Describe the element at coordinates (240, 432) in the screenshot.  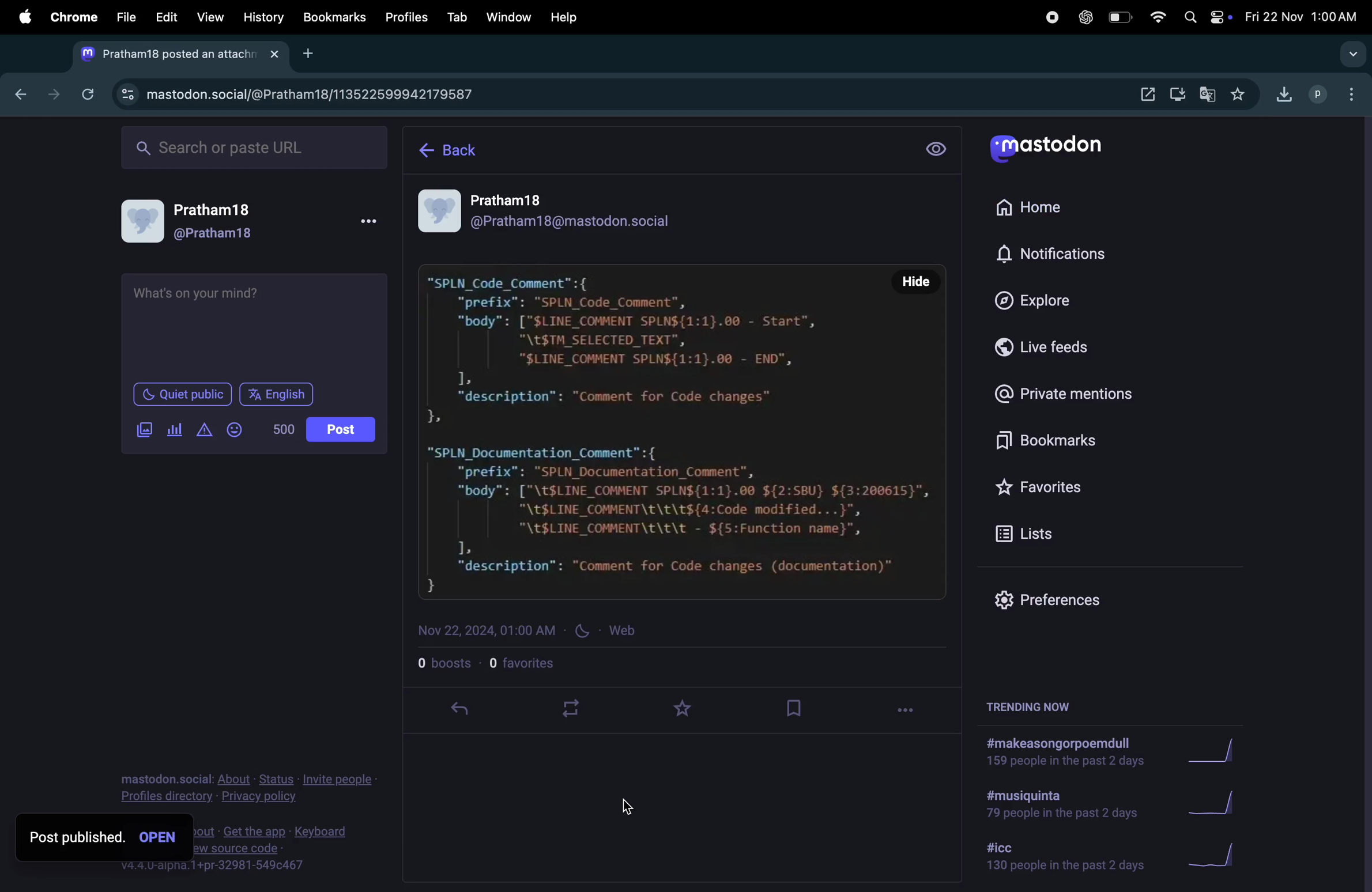
I see `emojis` at that location.